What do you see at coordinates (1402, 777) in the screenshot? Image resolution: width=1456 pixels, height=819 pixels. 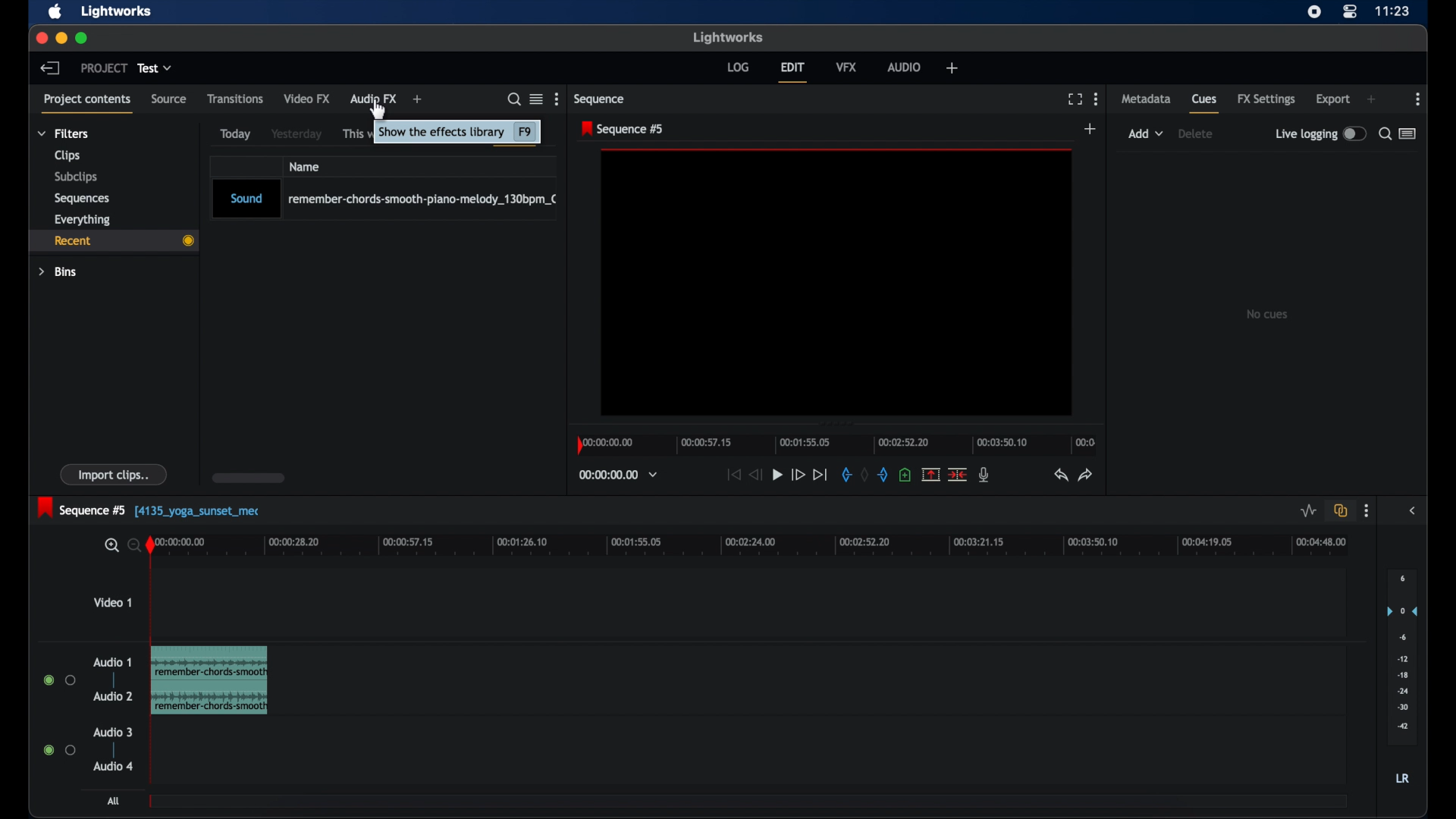 I see `LR` at bounding box center [1402, 777].